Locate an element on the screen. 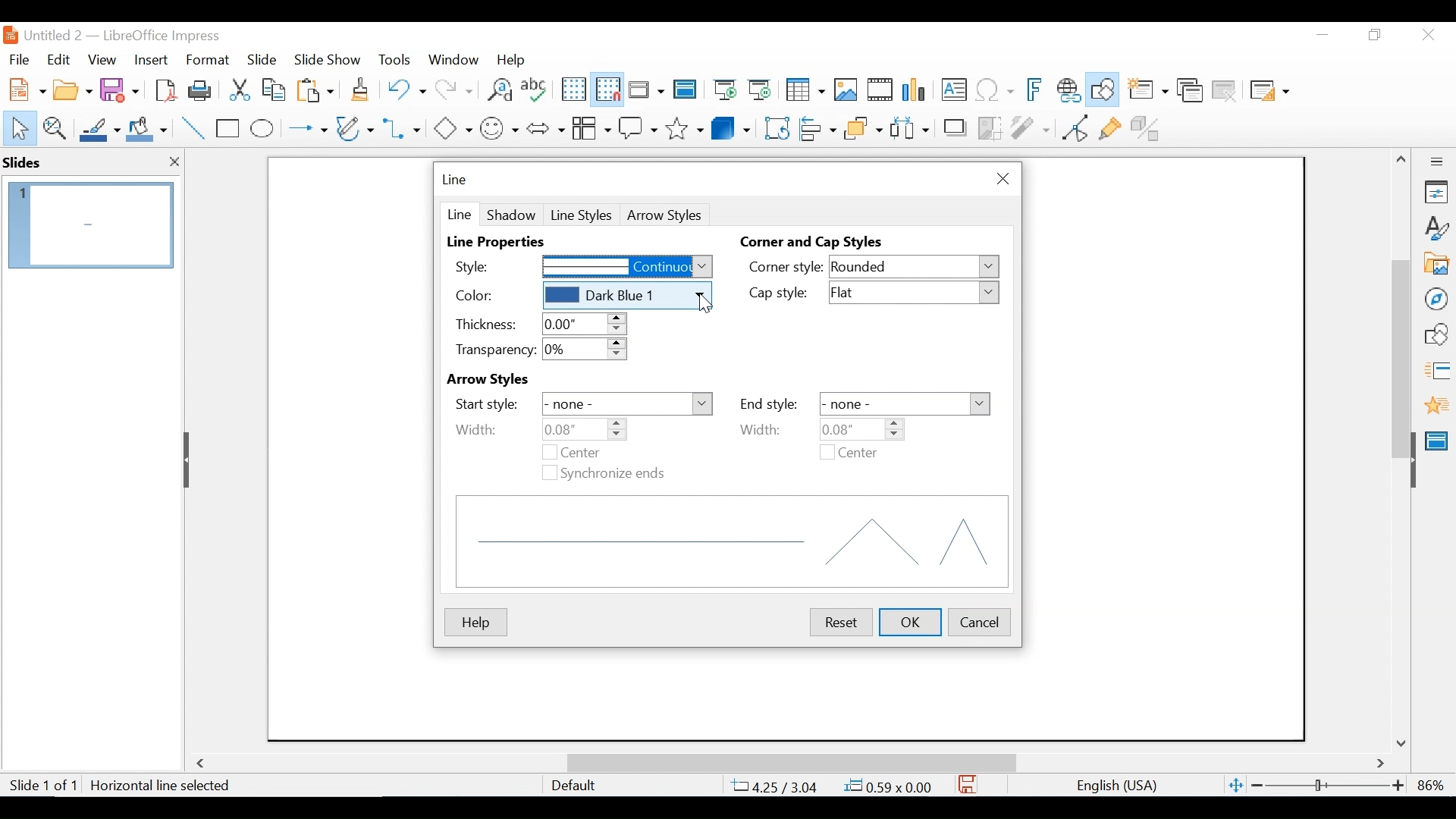 The width and height of the screenshot is (1456, 819). Hide is located at coordinates (189, 460).